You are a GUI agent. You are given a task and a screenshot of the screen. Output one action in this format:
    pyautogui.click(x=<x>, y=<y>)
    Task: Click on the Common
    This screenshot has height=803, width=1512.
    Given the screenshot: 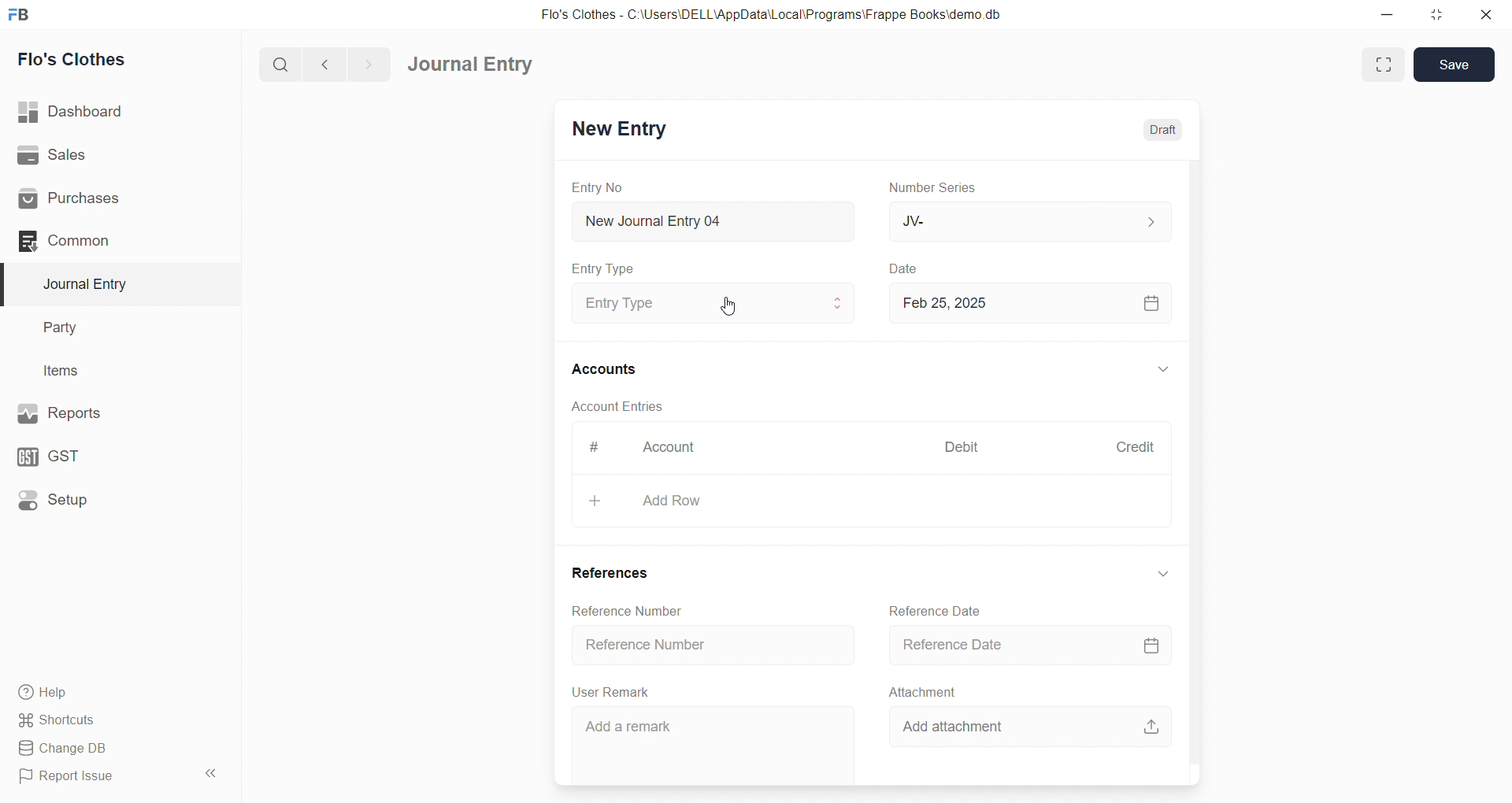 What is the action you would take?
    pyautogui.click(x=106, y=240)
    